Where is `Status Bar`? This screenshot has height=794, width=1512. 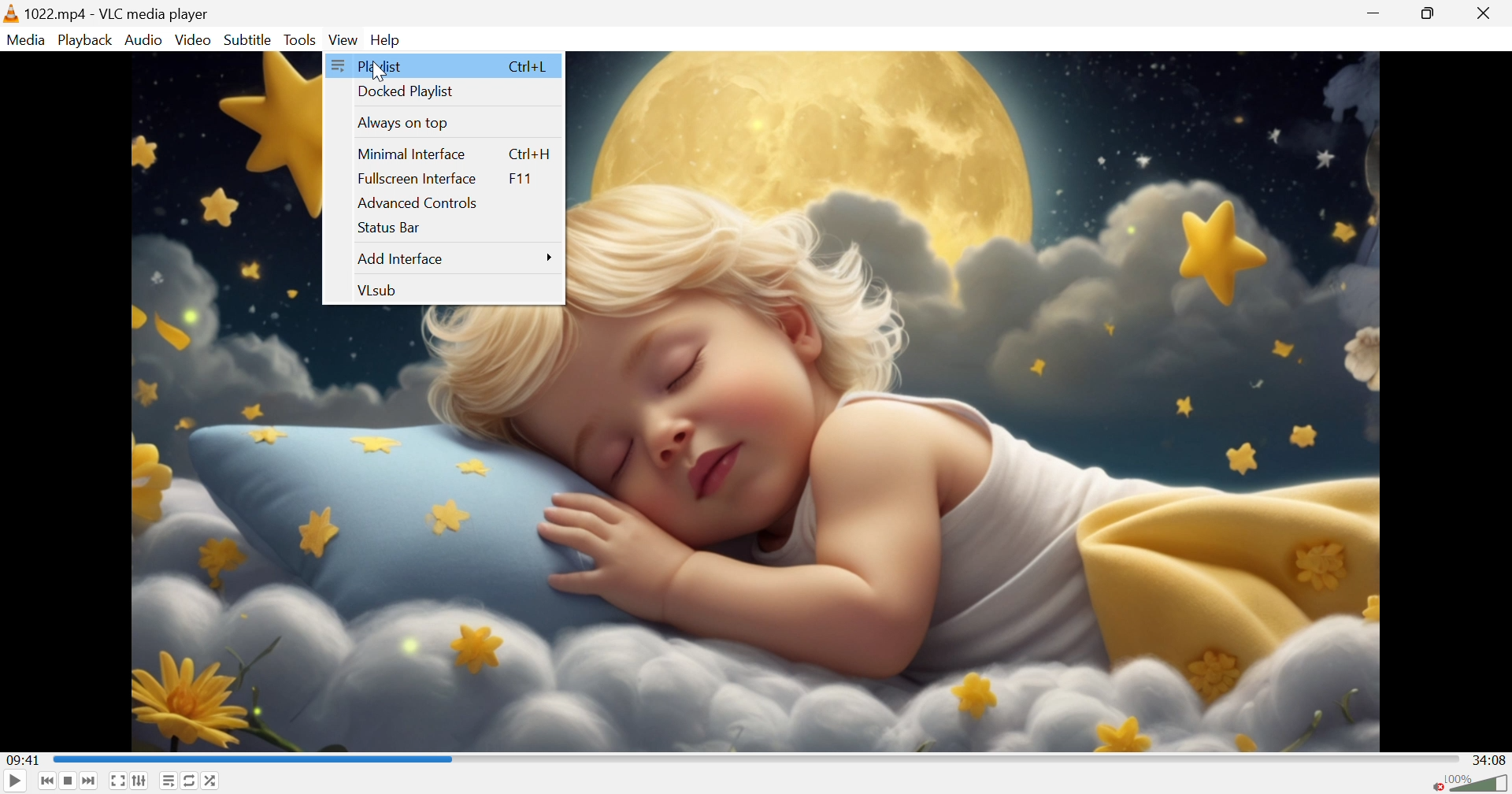
Status Bar is located at coordinates (390, 228).